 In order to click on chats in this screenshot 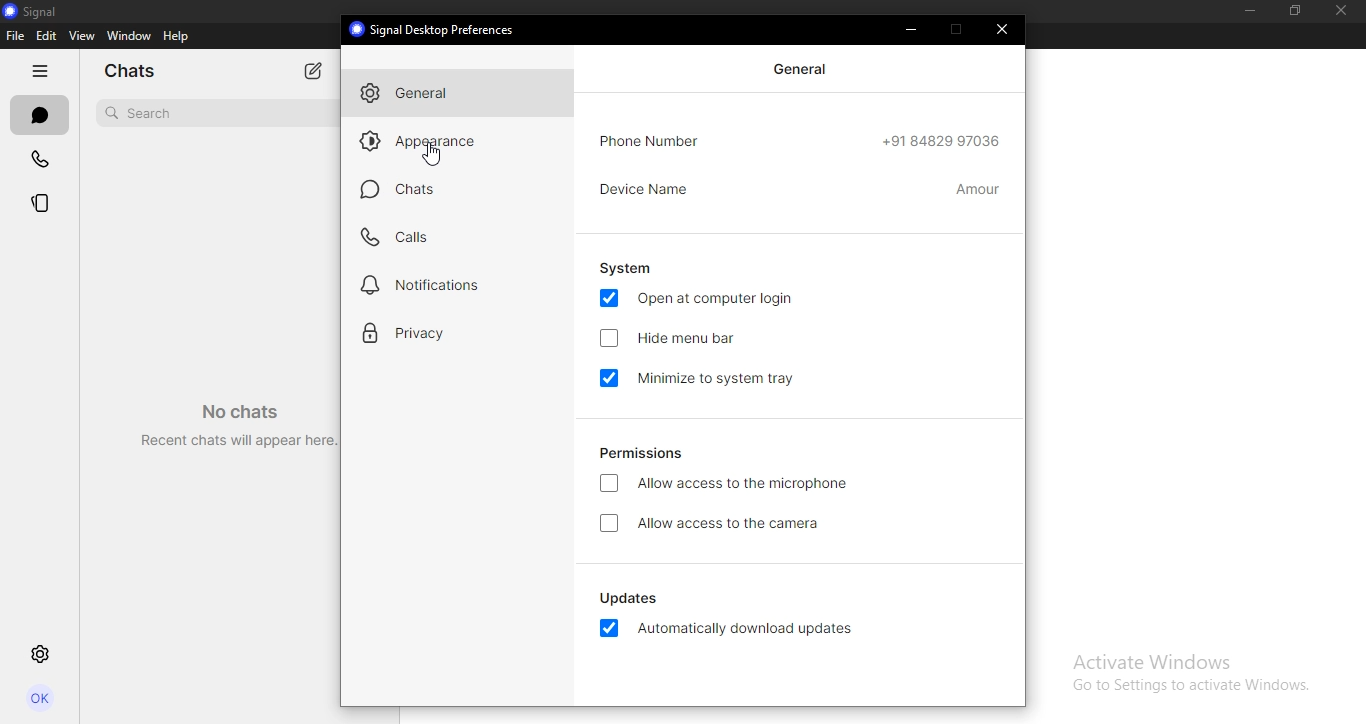, I will do `click(137, 72)`.